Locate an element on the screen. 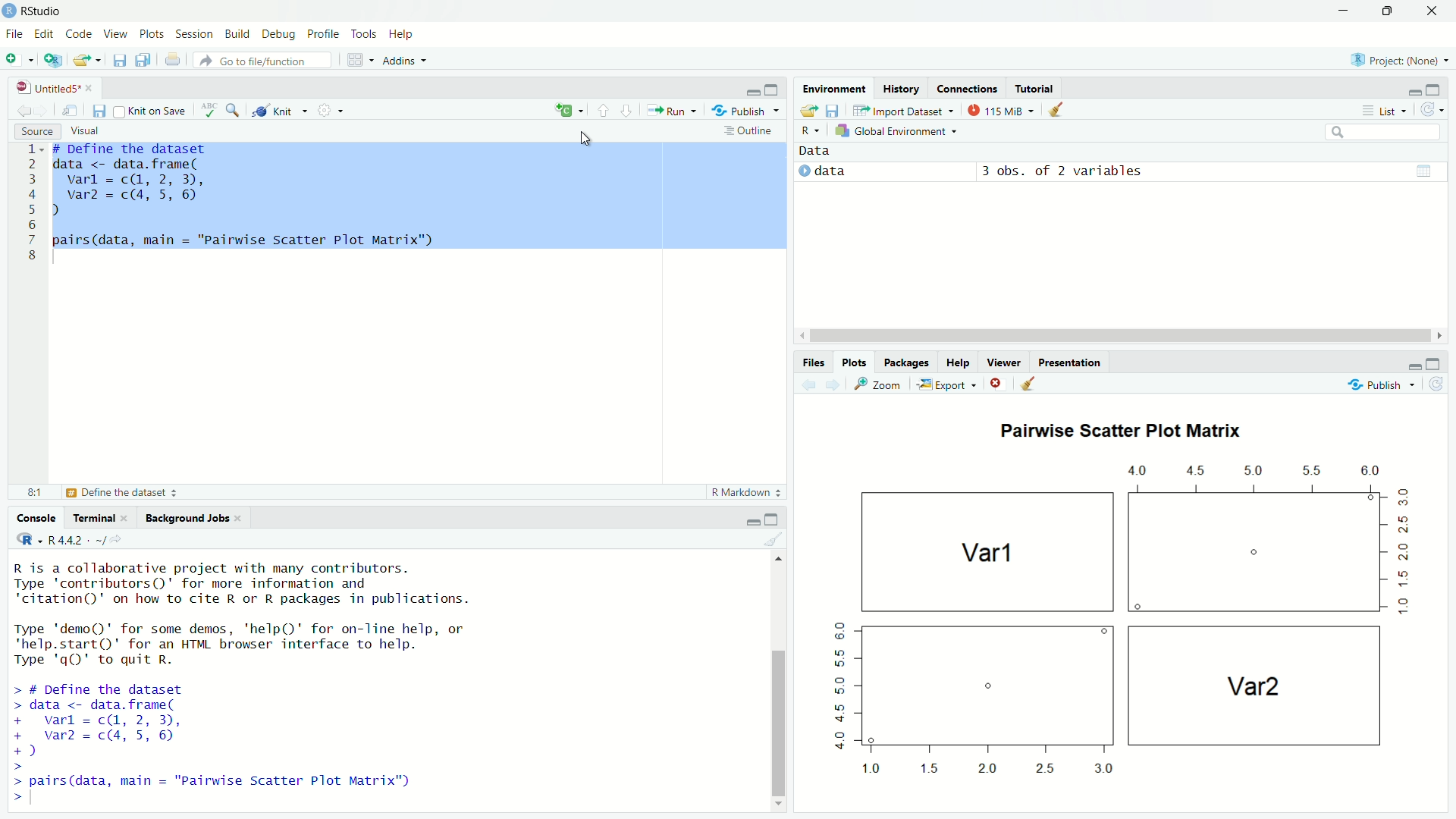 The width and height of the screenshot is (1456, 819). Tutorial is located at coordinates (1037, 88).